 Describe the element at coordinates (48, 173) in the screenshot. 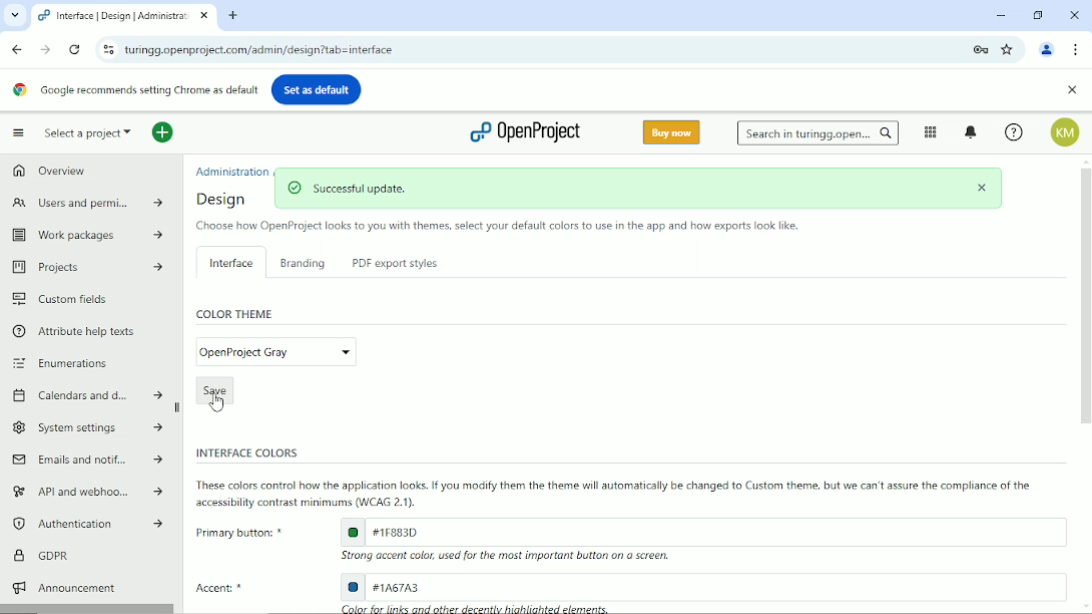

I see `Overview` at that location.